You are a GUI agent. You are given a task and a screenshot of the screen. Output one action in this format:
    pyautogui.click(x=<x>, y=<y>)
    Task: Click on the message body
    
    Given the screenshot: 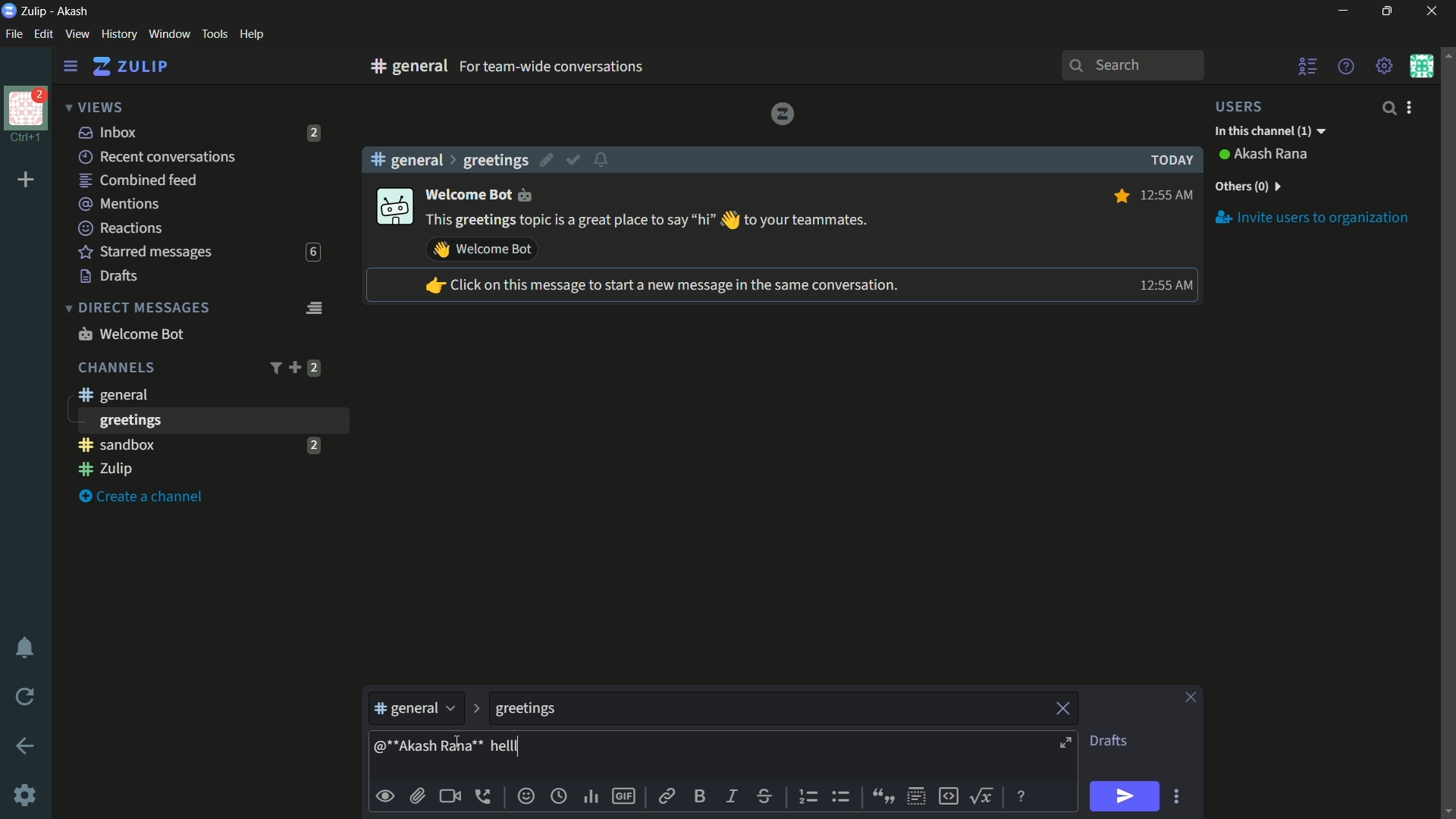 What is the action you would take?
    pyautogui.click(x=789, y=758)
    